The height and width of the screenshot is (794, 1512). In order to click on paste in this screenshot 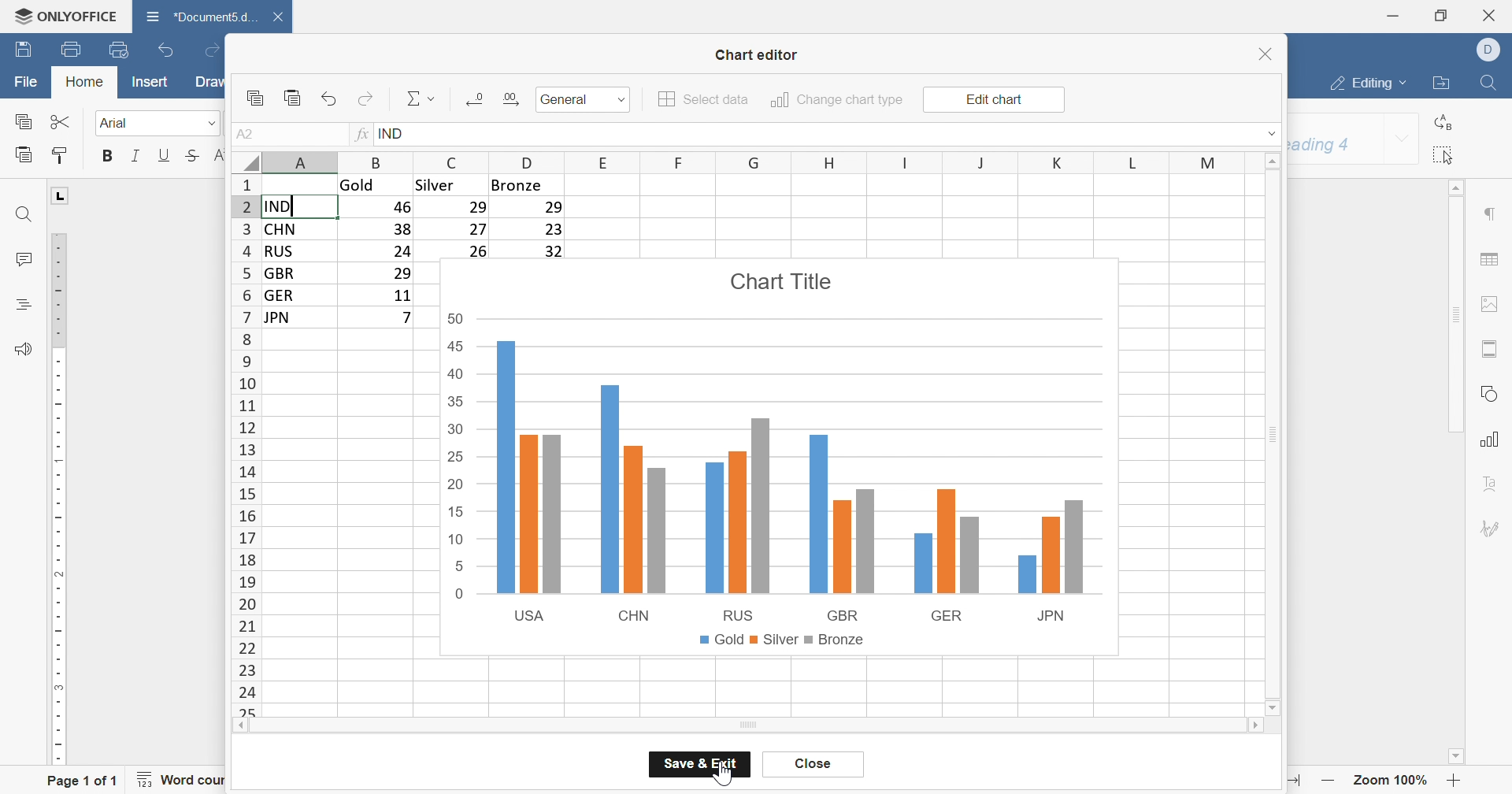, I will do `click(23, 154)`.